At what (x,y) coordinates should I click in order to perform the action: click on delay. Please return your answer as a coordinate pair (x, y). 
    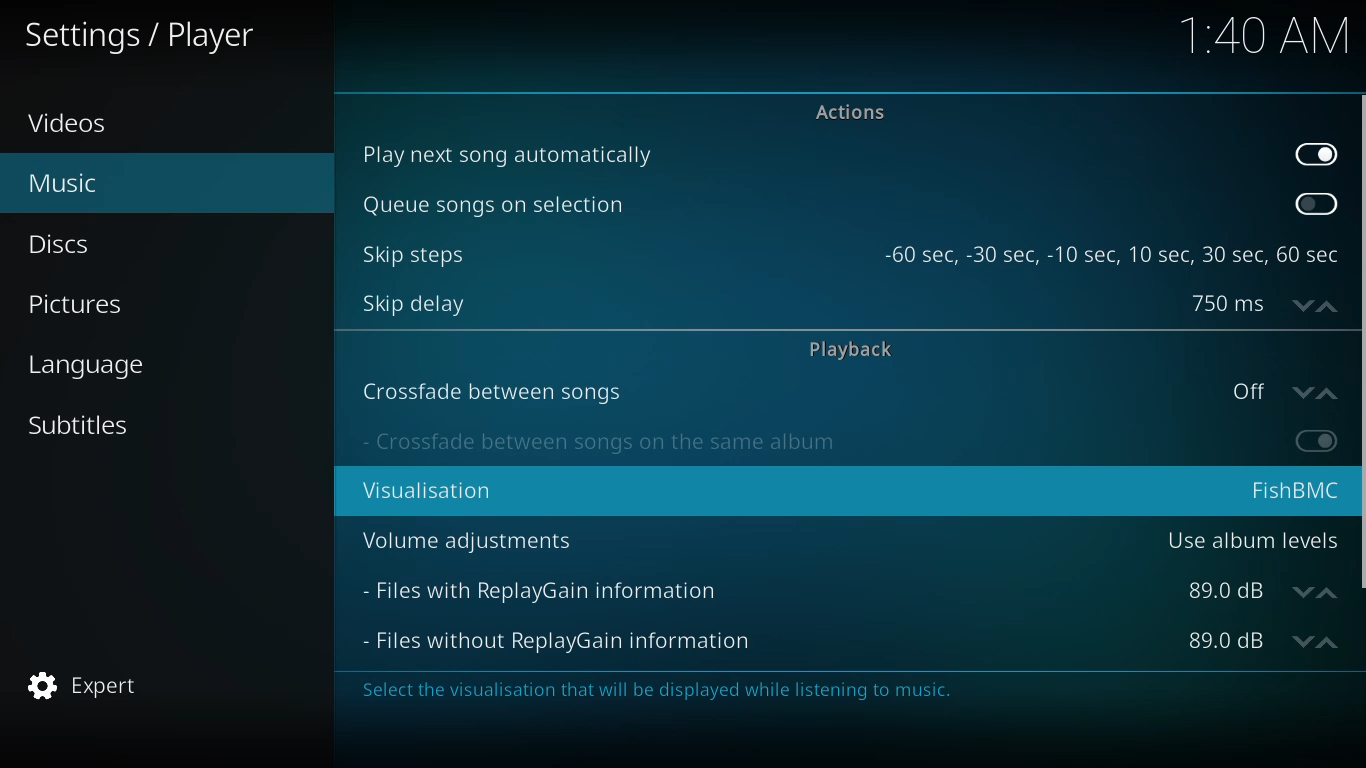
    Looking at the image, I should click on (1255, 303).